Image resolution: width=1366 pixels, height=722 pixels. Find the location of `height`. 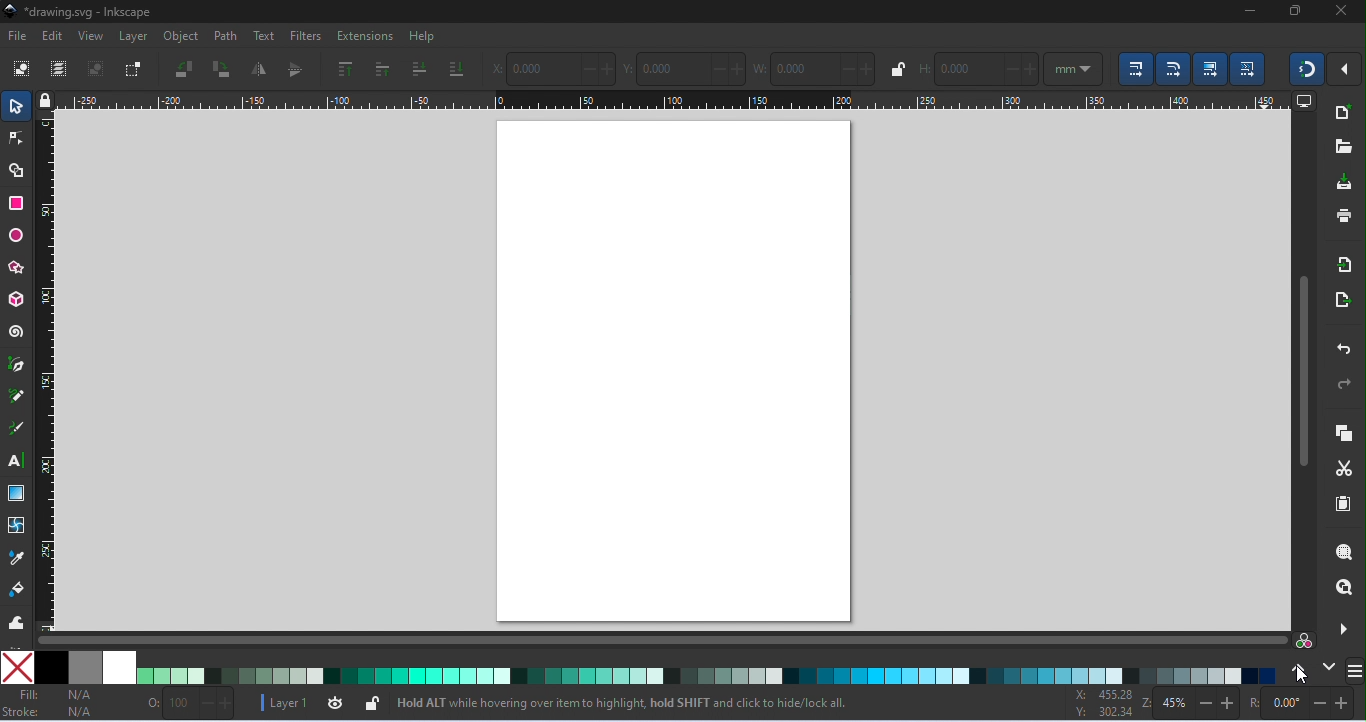

height is located at coordinates (978, 68).